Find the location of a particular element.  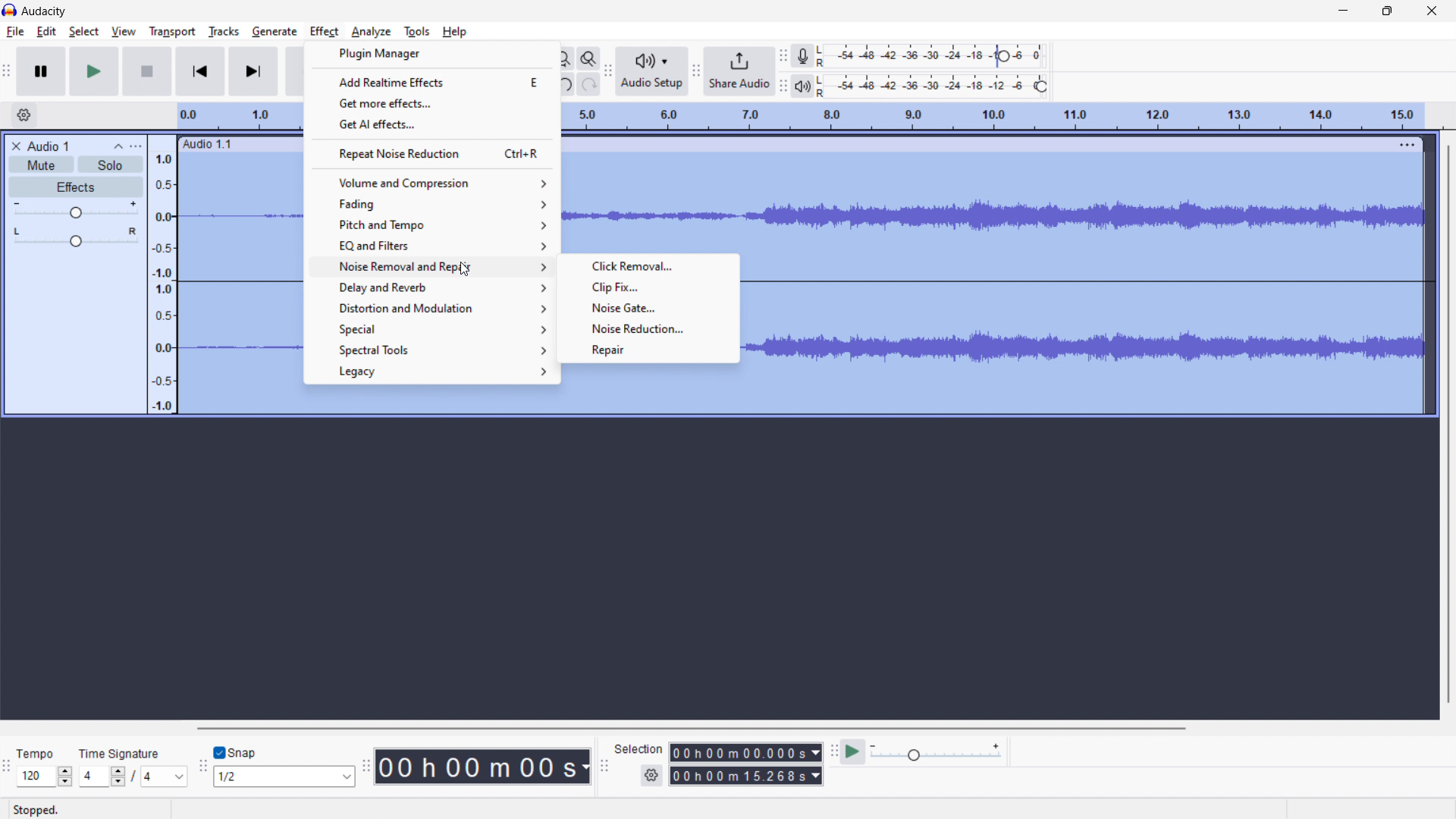

transport toolbar is located at coordinates (8, 70).